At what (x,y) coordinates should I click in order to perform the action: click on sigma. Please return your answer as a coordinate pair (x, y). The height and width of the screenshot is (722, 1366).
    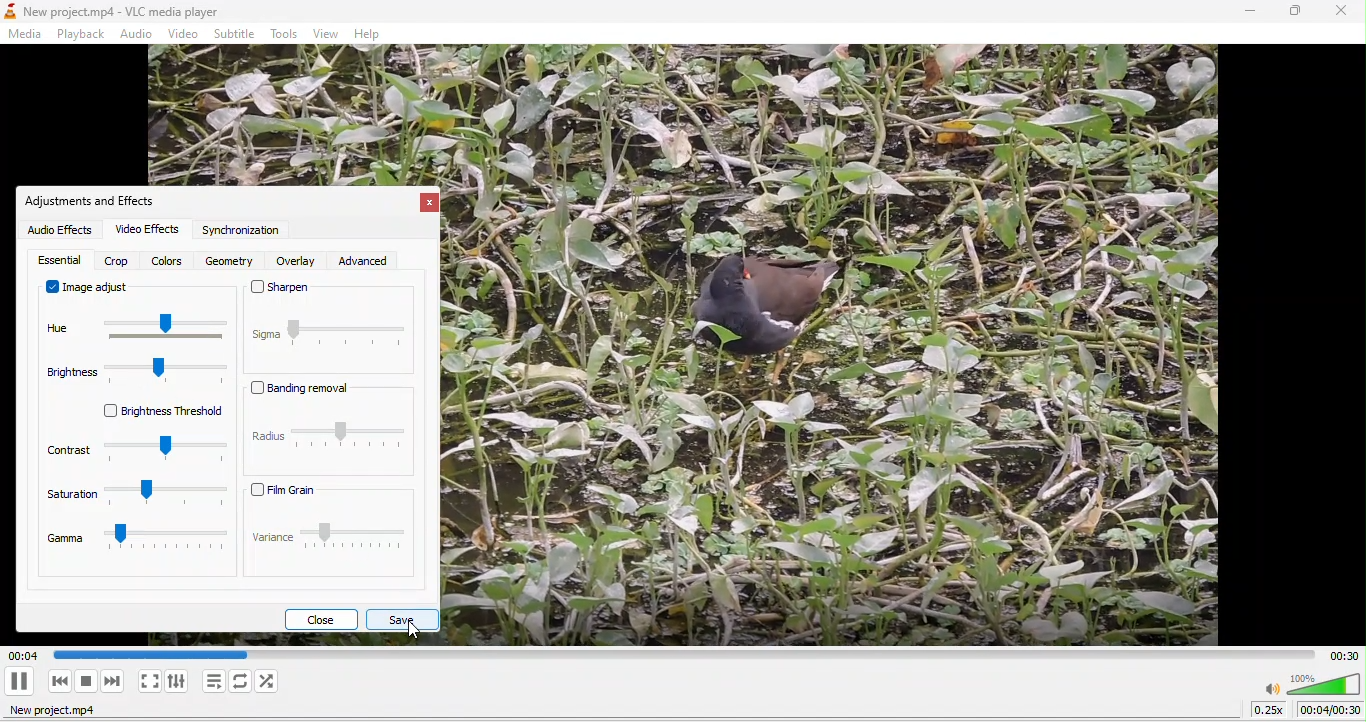
    Looking at the image, I should click on (331, 347).